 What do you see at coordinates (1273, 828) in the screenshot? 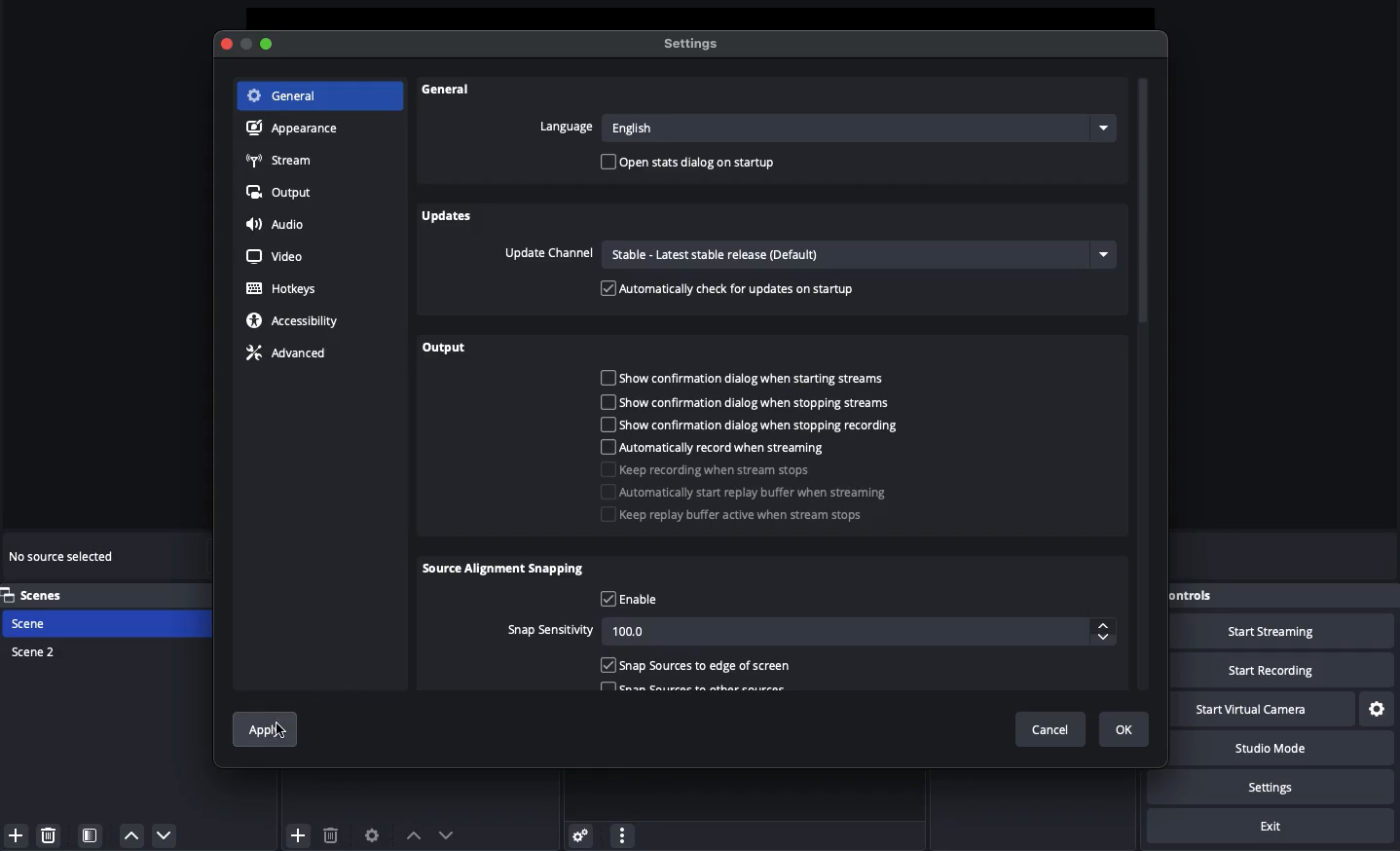
I see `Exit` at bounding box center [1273, 828].